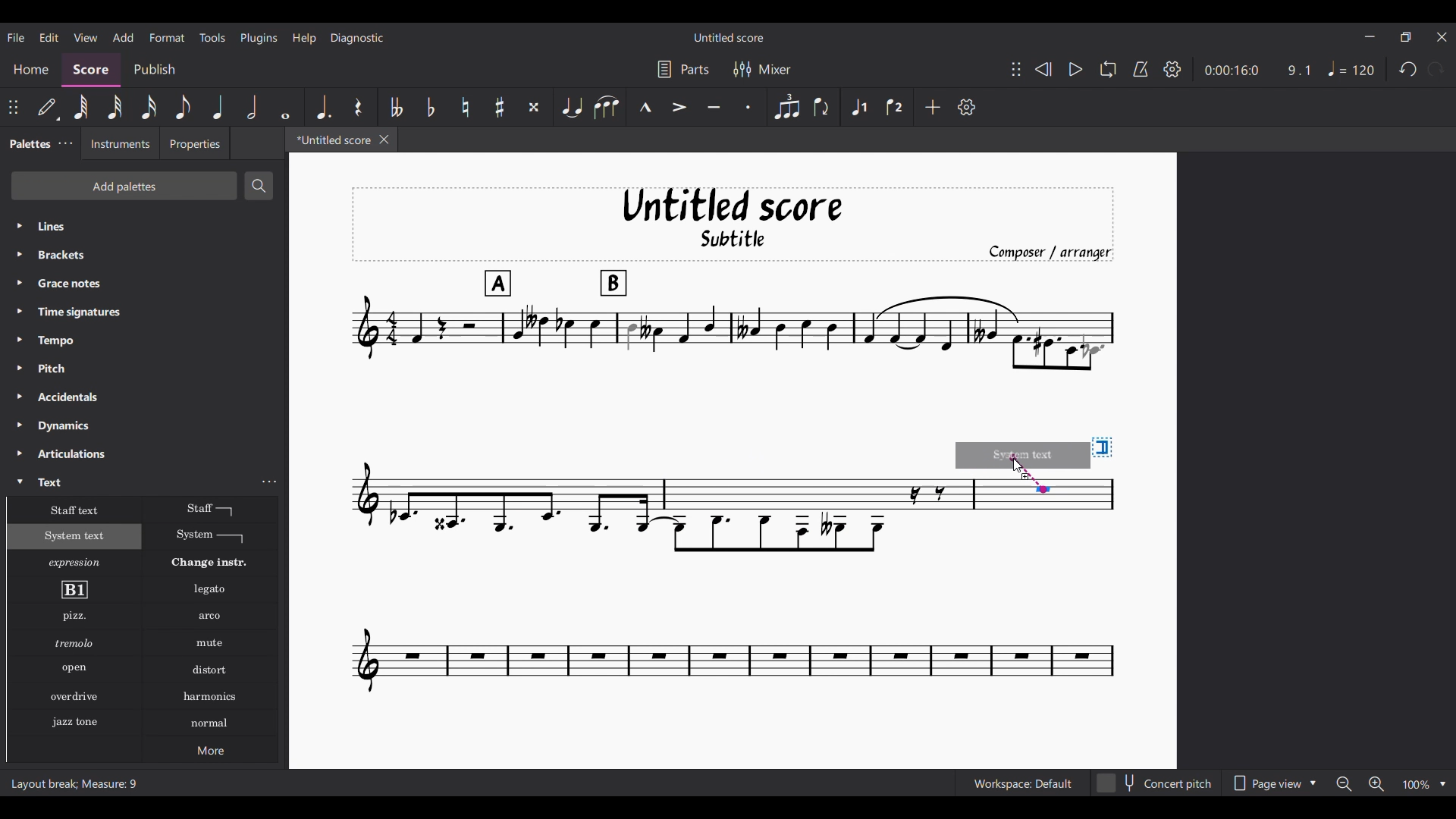  What do you see at coordinates (66, 143) in the screenshot?
I see `Palette settings` at bounding box center [66, 143].